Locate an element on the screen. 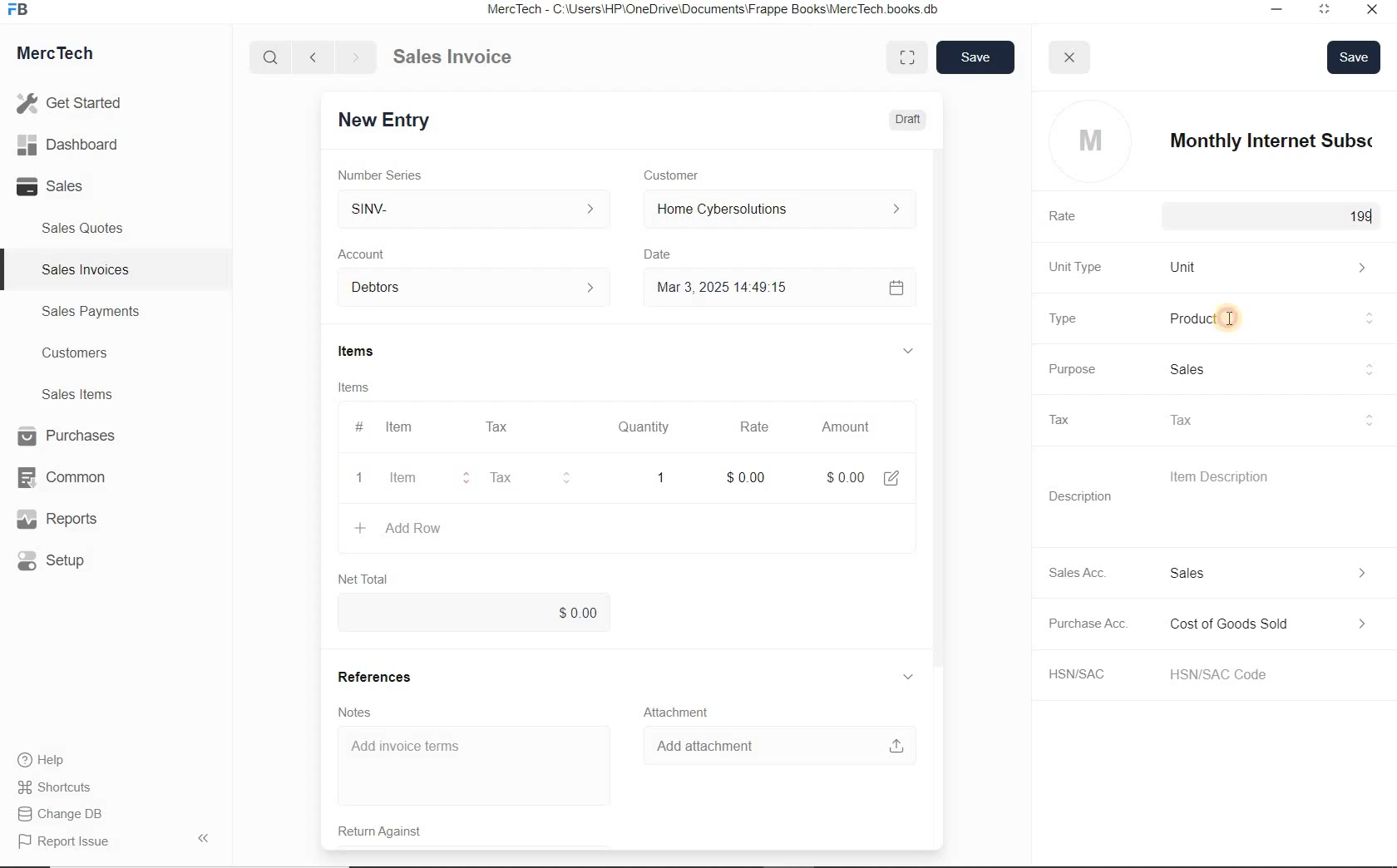 The height and width of the screenshot is (868, 1397). rate: $0.00 is located at coordinates (745, 476).